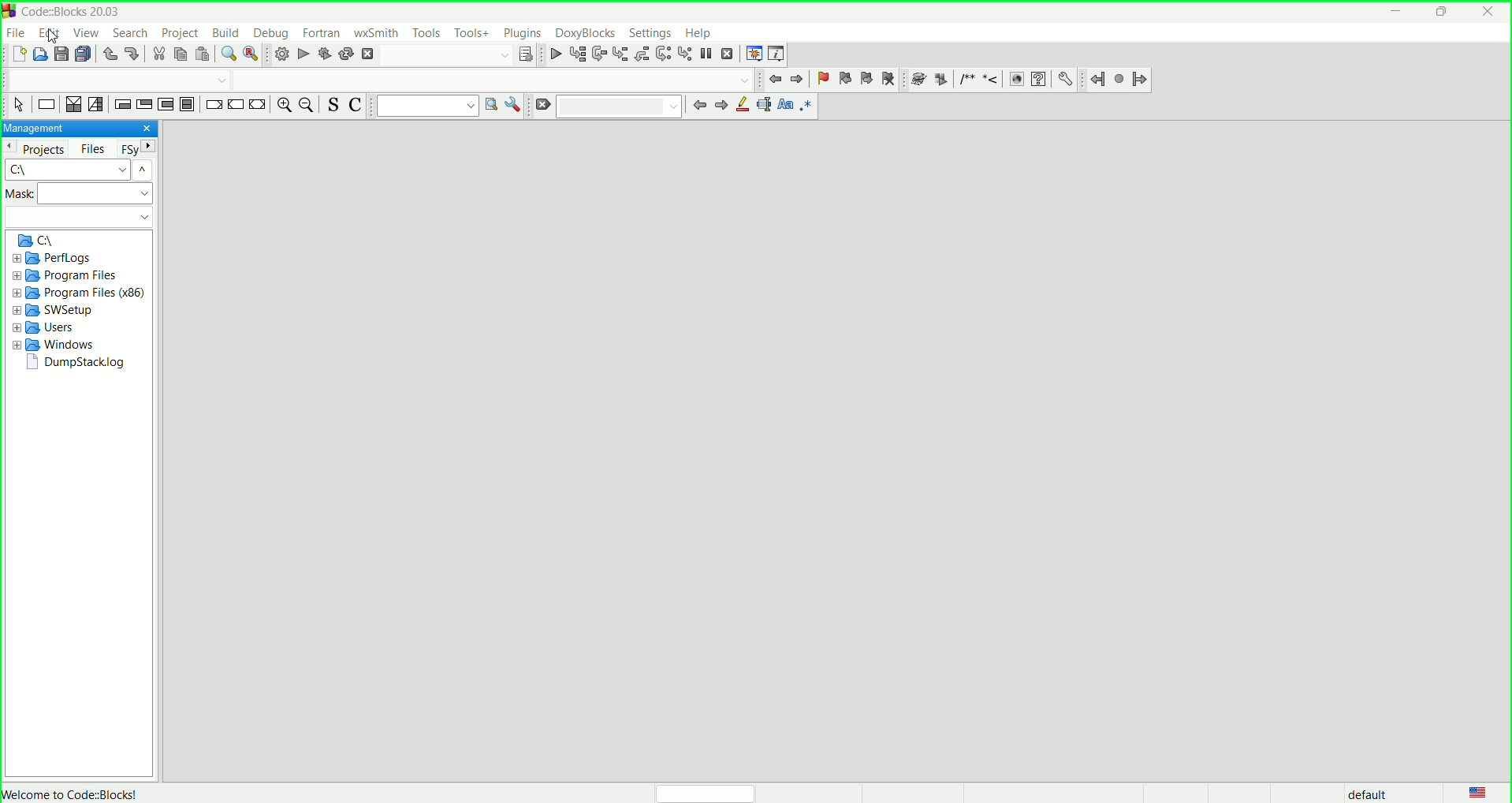 The image size is (1512, 803). Describe the element at coordinates (129, 32) in the screenshot. I see `search` at that location.